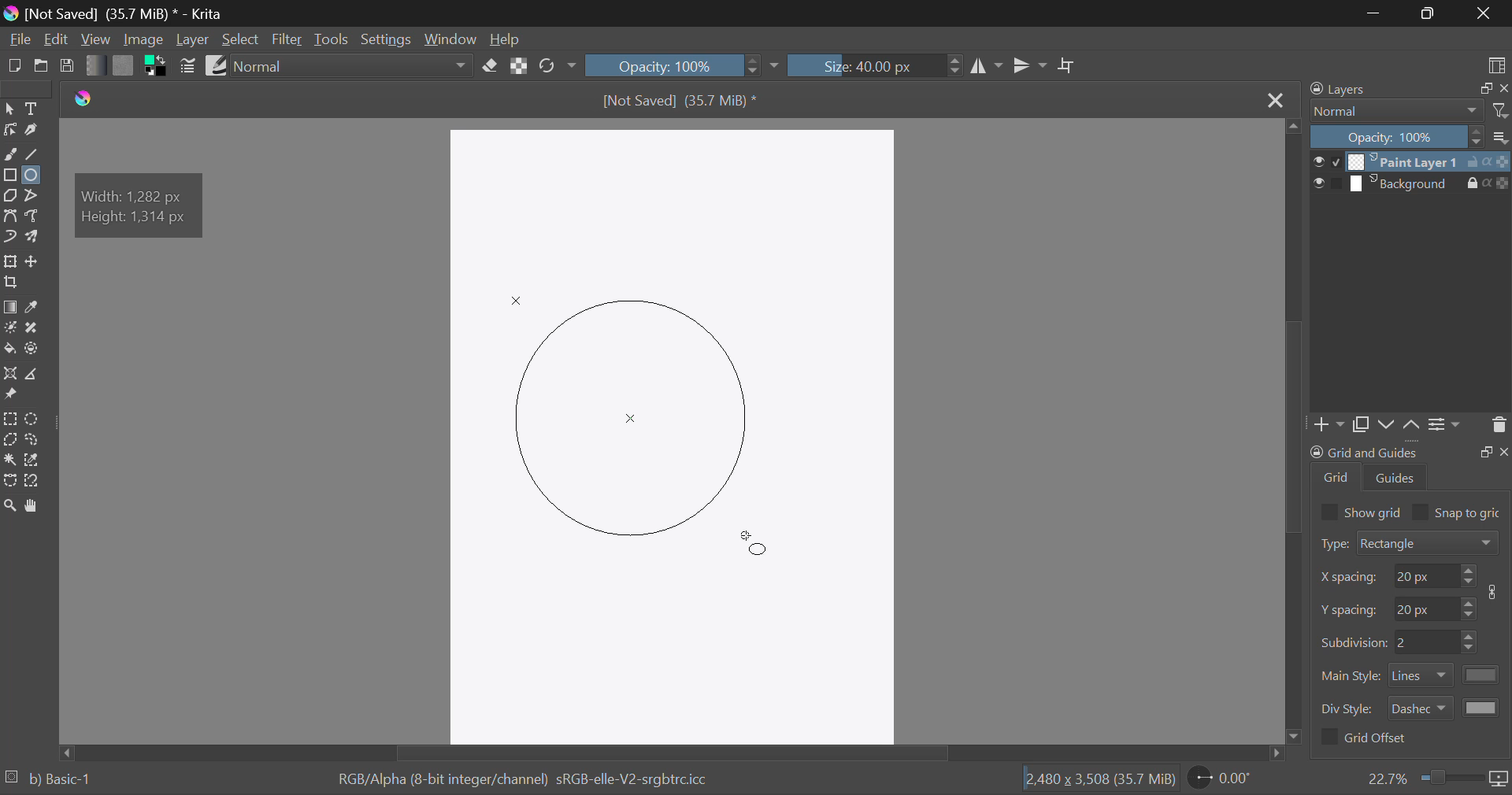 The height and width of the screenshot is (795, 1512). What do you see at coordinates (9, 774) in the screenshot?
I see `loading` at bounding box center [9, 774].